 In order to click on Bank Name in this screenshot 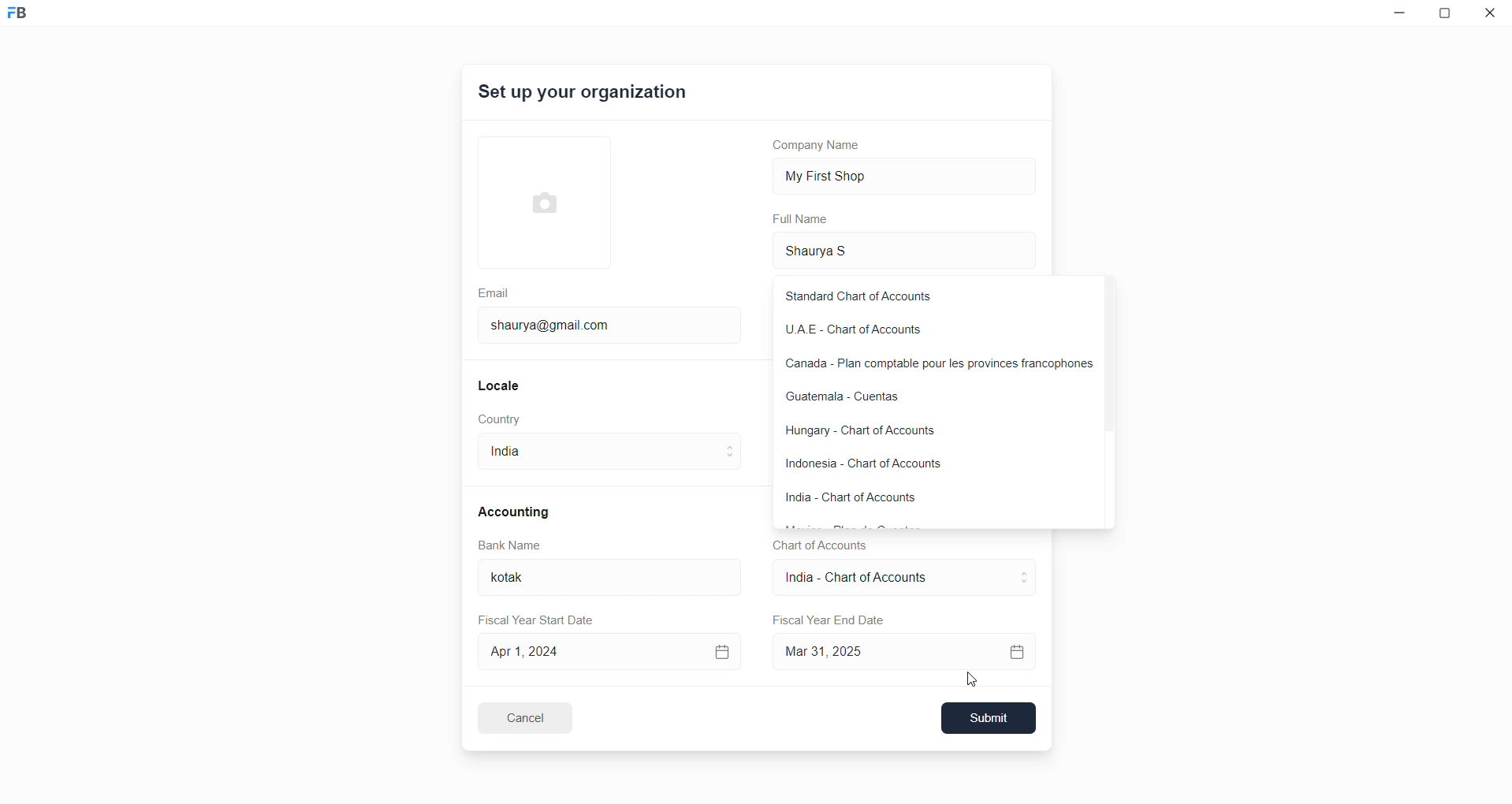, I will do `click(510, 547)`.